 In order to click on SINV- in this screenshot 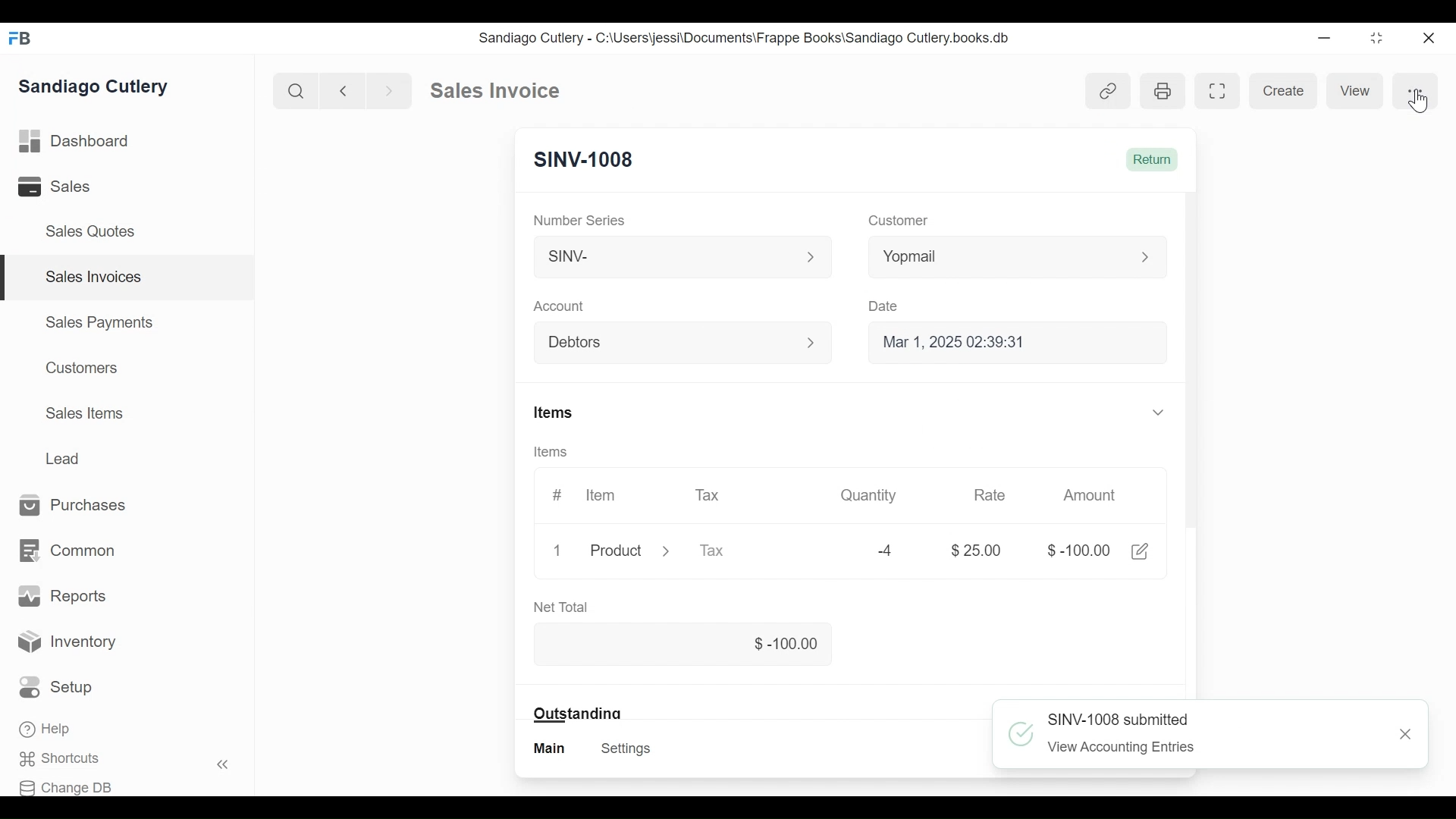, I will do `click(676, 255)`.